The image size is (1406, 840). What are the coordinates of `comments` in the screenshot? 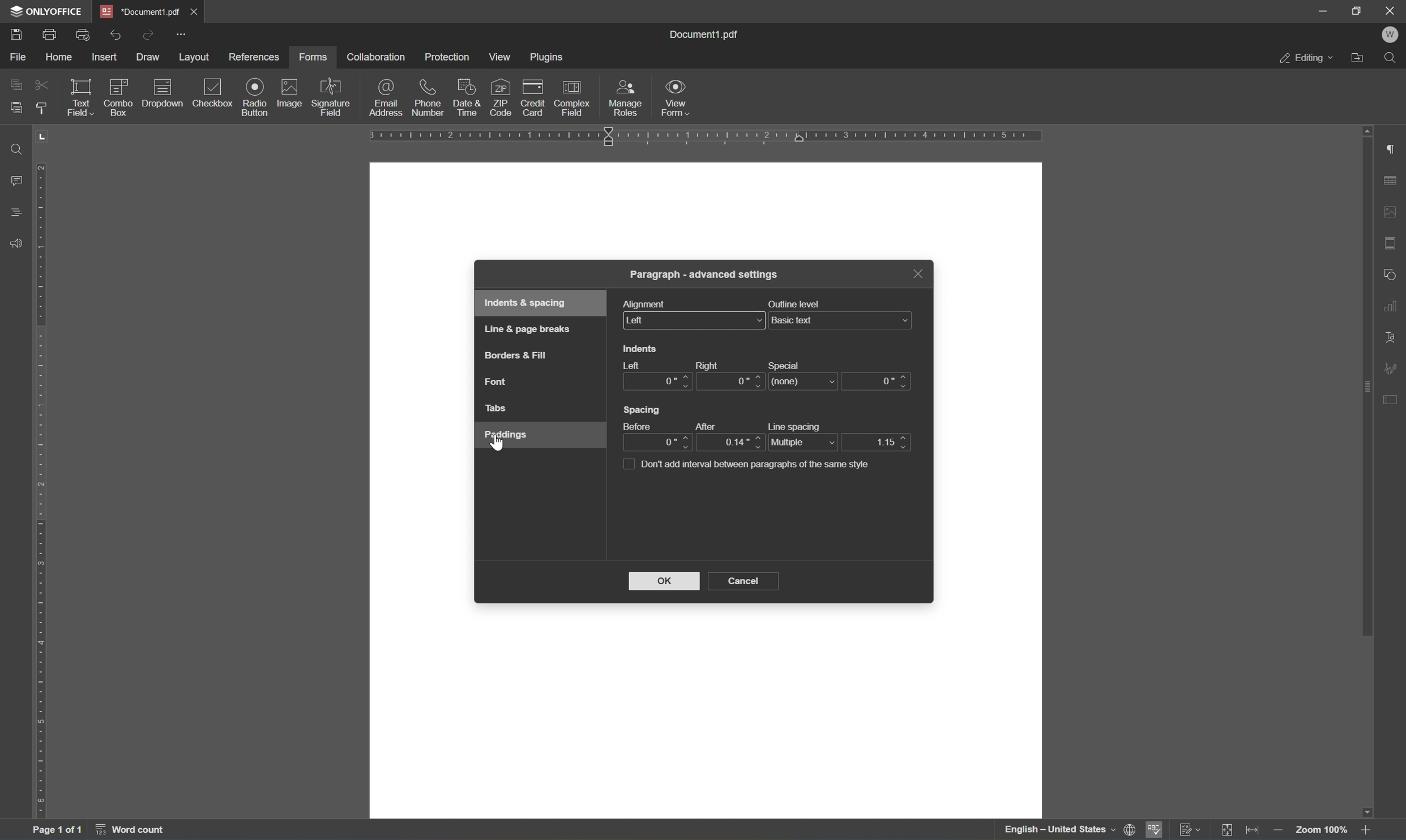 It's located at (15, 179).